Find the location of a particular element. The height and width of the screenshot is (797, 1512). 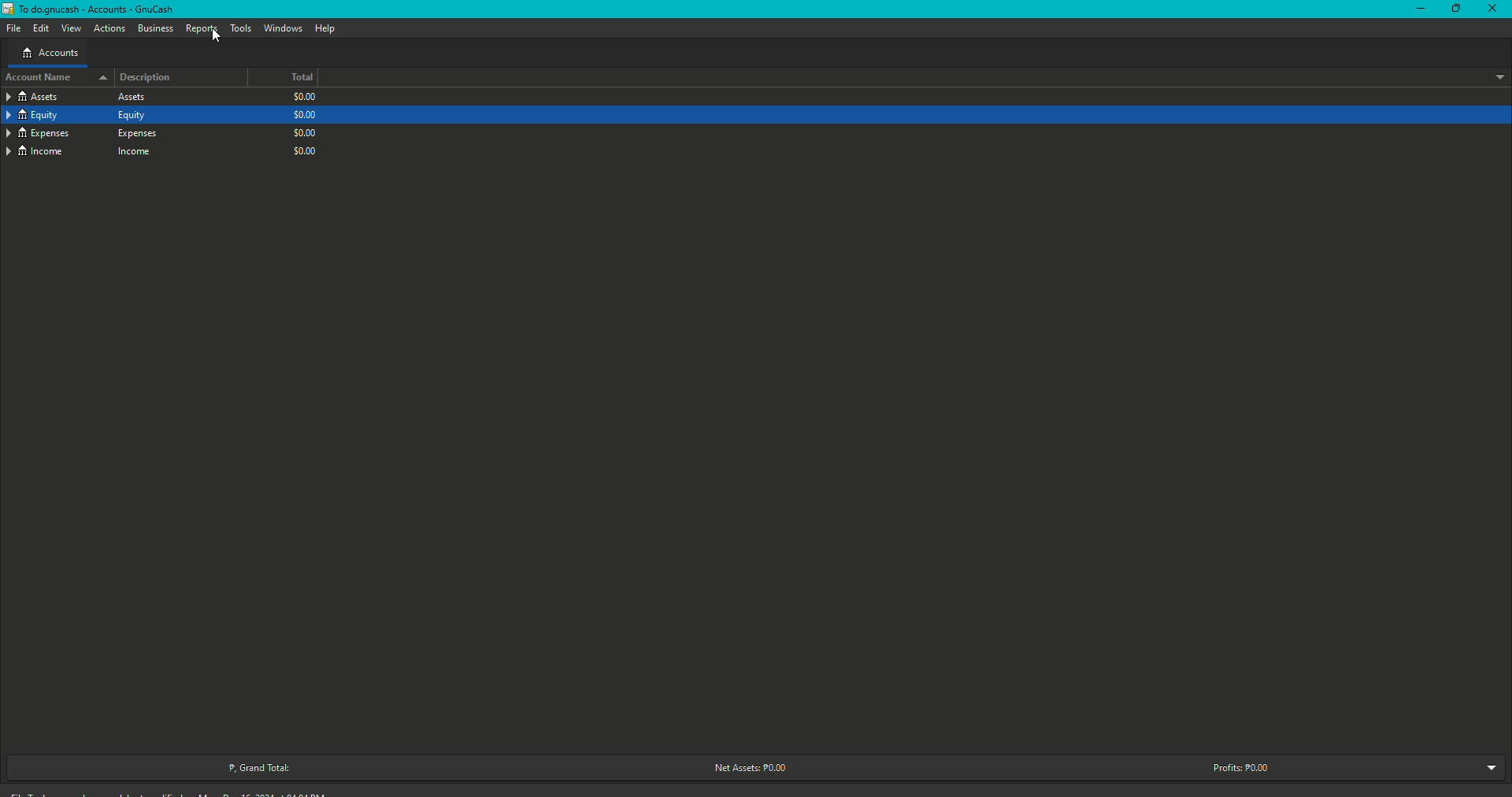

Accounts is located at coordinates (50, 53).